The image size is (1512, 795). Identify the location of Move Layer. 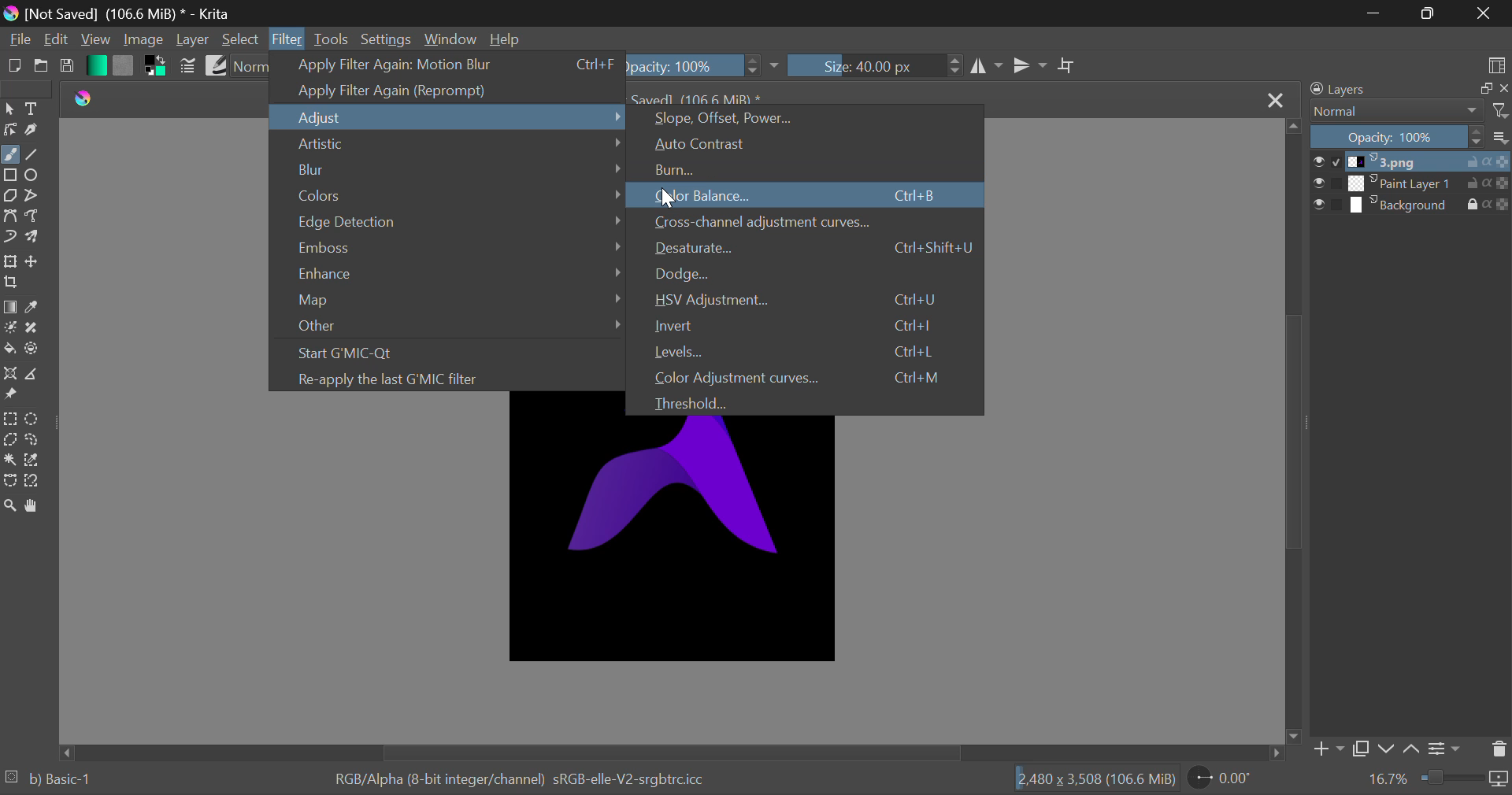
(36, 263).